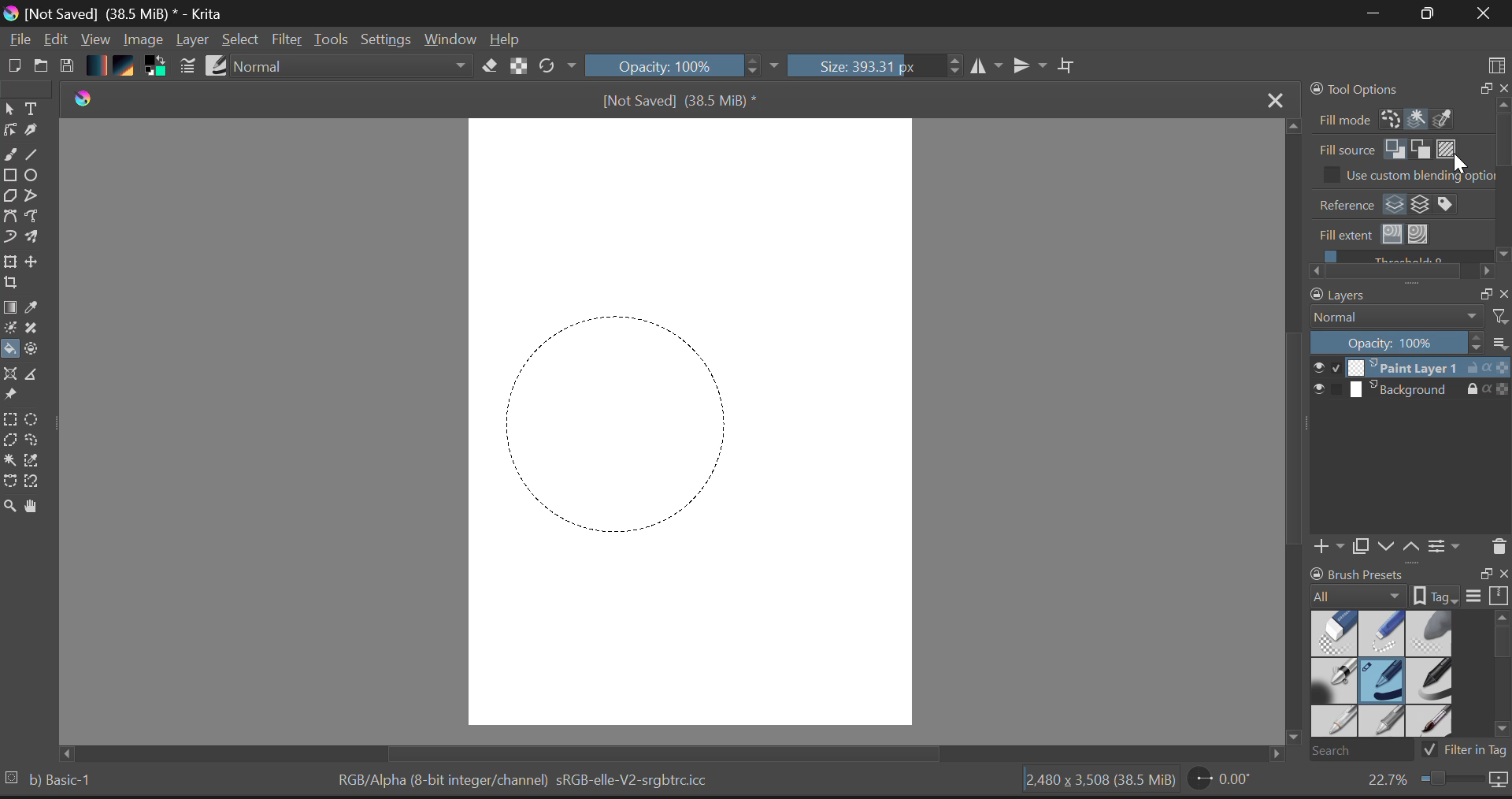 The width and height of the screenshot is (1512, 799). What do you see at coordinates (1480, 15) in the screenshot?
I see `Close` at bounding box center [1480, 15].